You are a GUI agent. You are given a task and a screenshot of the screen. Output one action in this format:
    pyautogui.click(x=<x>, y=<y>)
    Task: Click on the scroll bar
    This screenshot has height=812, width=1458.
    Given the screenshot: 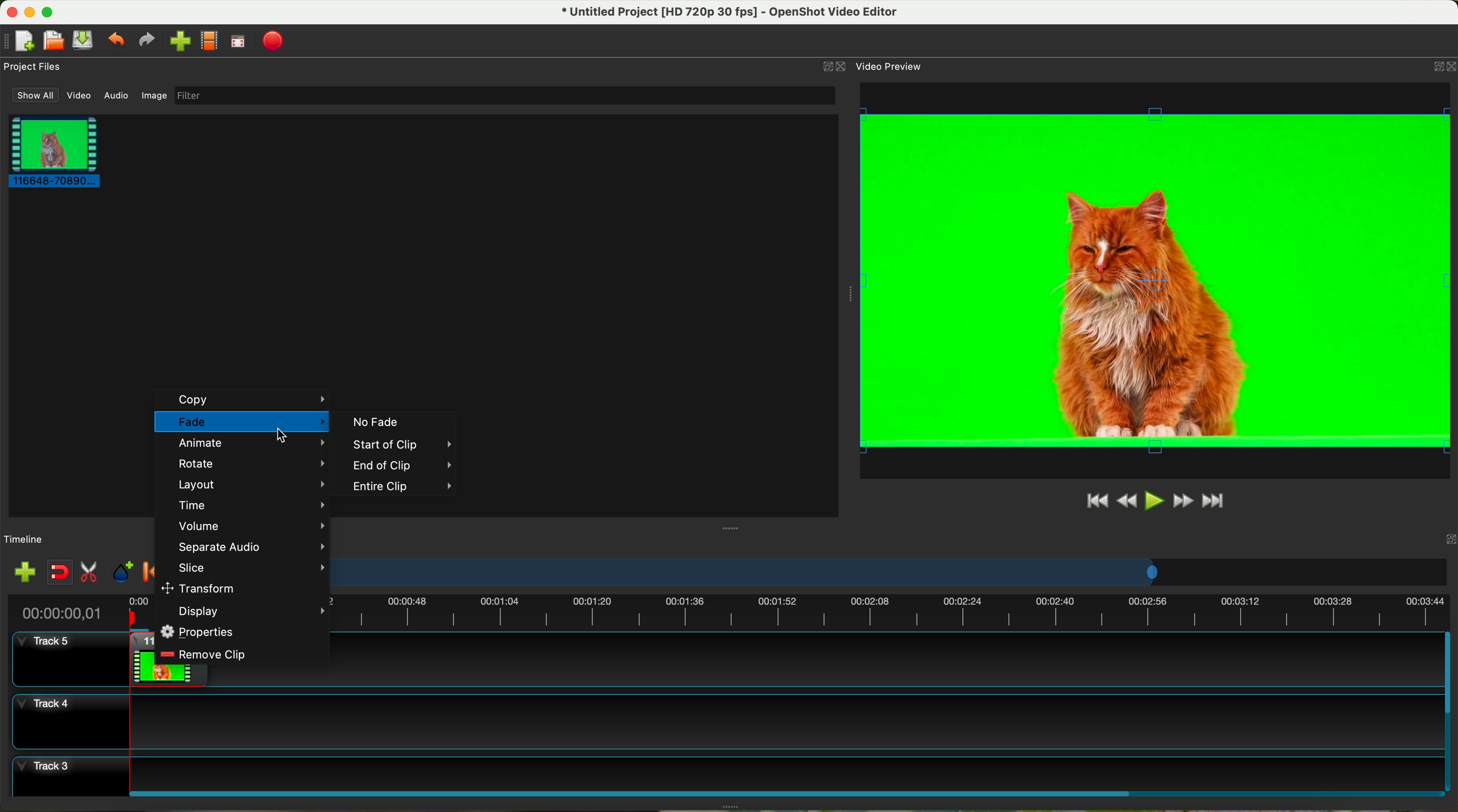 What is the action you would take?
    pyautogui.click(x=1449, y=711)
    